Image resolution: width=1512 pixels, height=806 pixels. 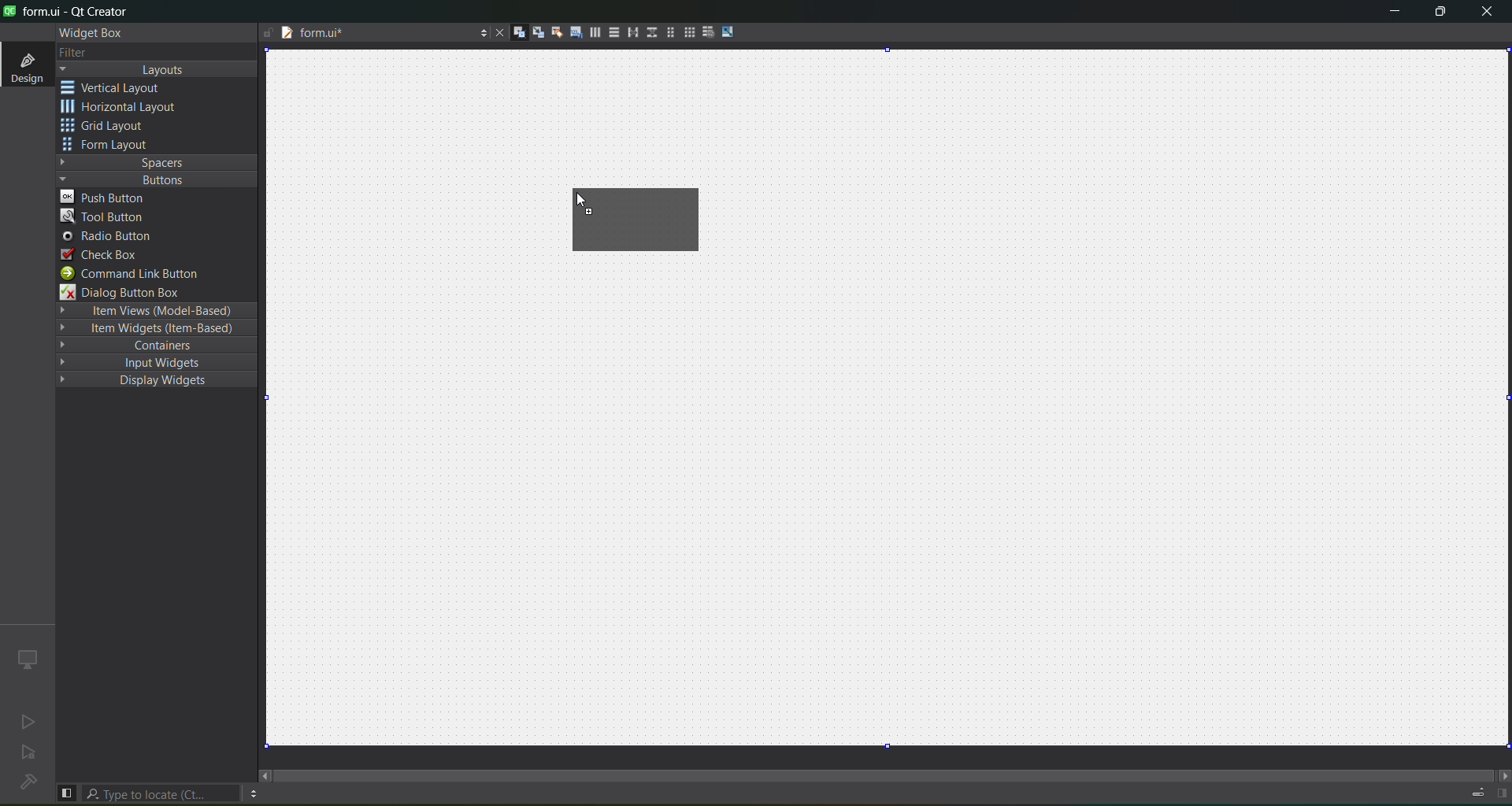 What do you see at coordinates (630, 35) in the screenshot?
I see `horizontal splitter` at bounding box center [630, 35].